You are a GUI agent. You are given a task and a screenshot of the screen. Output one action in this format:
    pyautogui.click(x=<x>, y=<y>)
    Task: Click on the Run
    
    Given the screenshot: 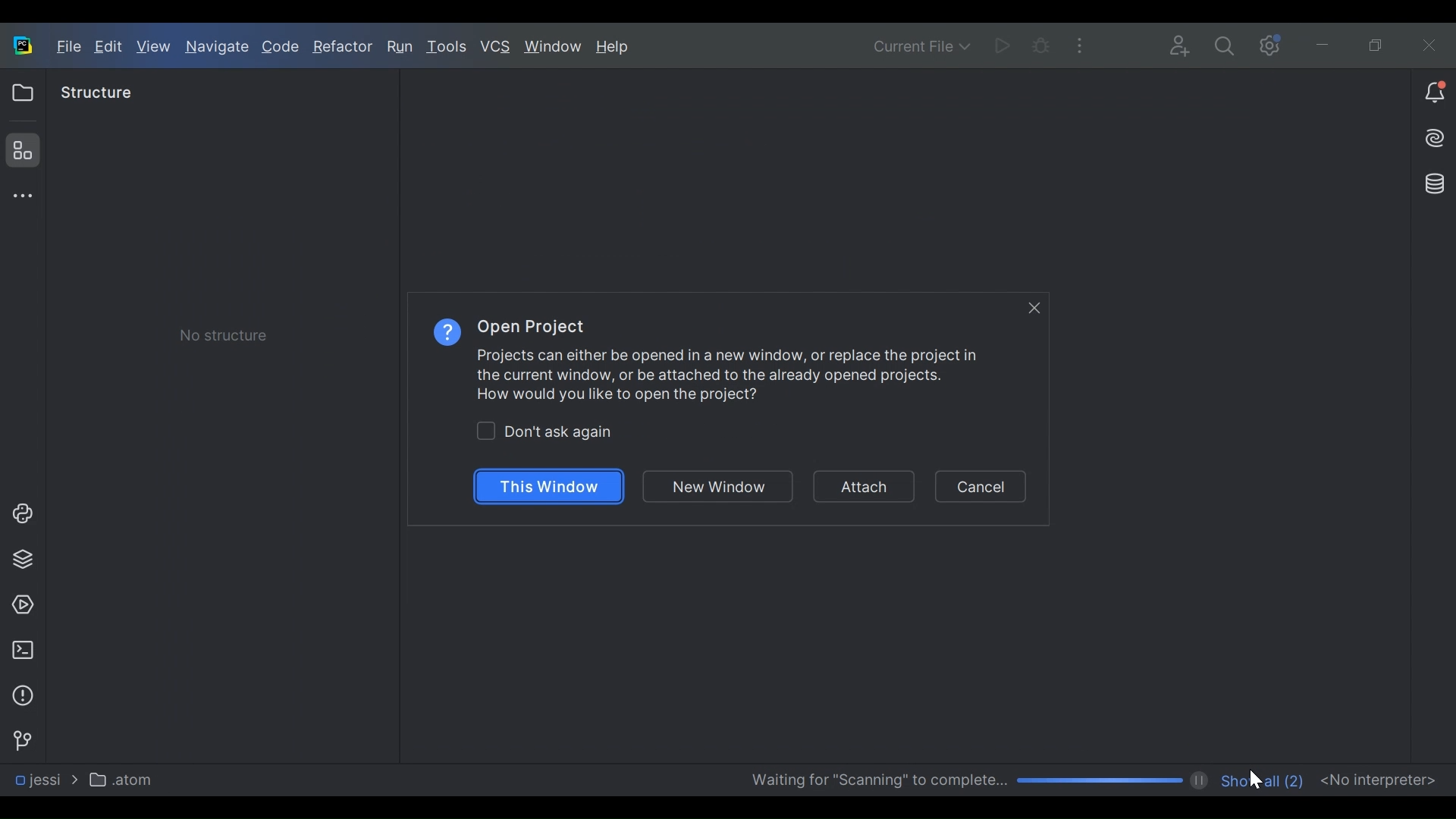 What is the action you would take?
    pyautogui.click(x=400, y=47)
    